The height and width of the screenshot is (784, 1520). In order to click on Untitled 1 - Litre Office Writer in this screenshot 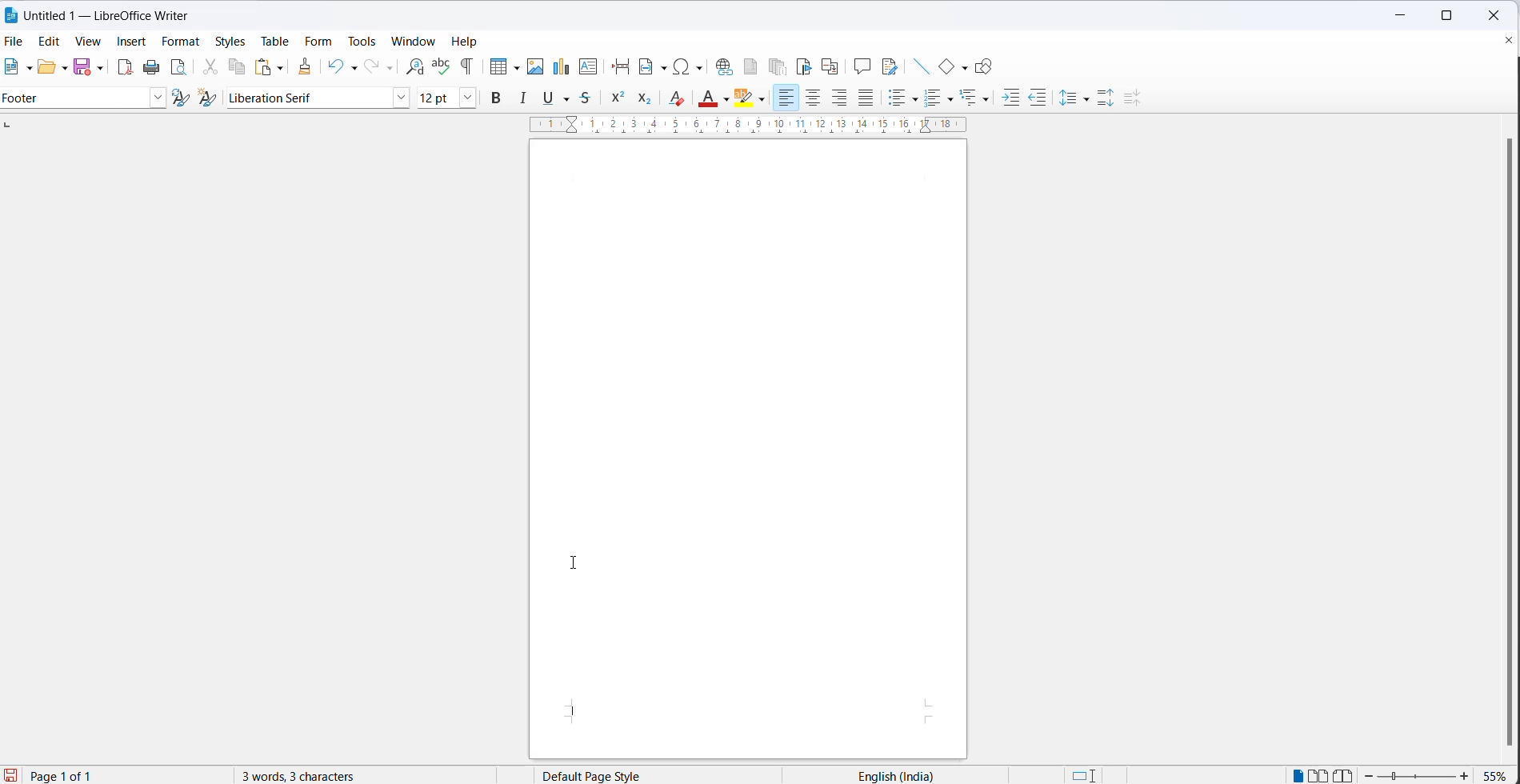, I will do `click(106, 14)`.